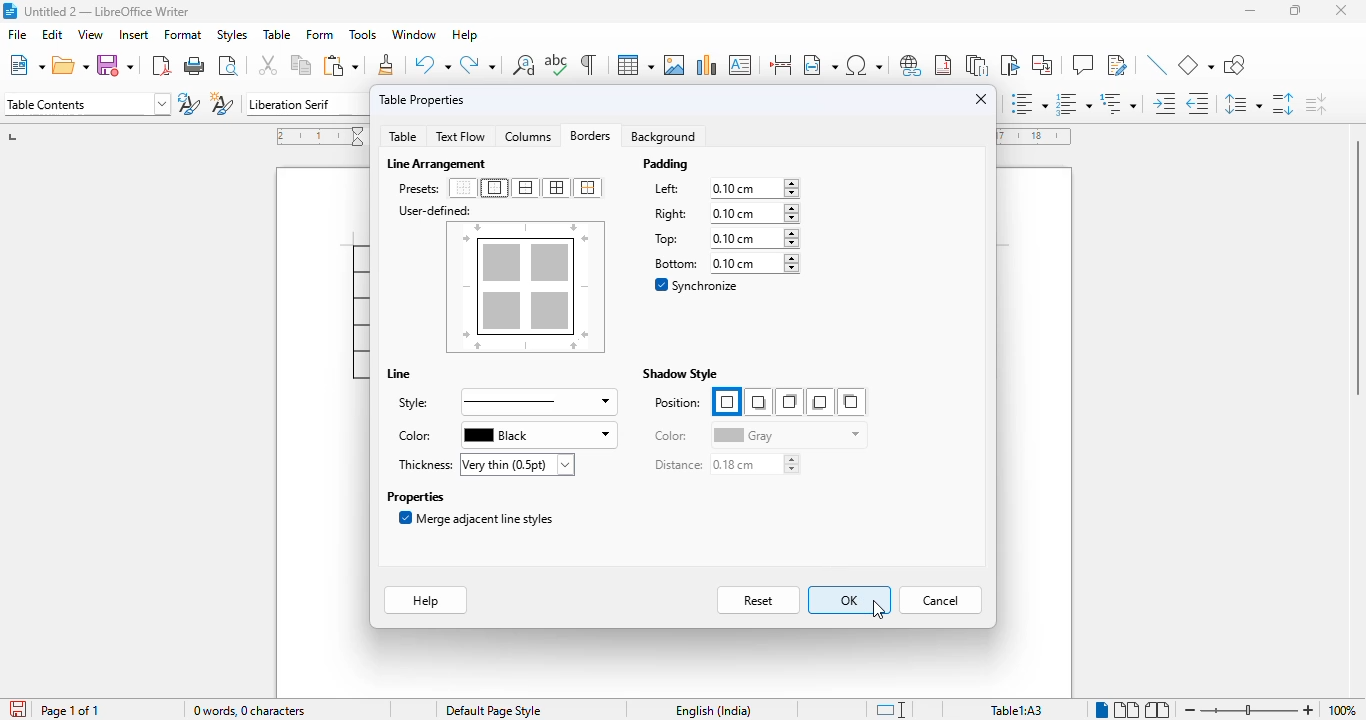 The width and height of the screenshot is (1366, 720). Describe the element at coordinates (1297, 10) in the screenshot. I see `maximize` at that location.